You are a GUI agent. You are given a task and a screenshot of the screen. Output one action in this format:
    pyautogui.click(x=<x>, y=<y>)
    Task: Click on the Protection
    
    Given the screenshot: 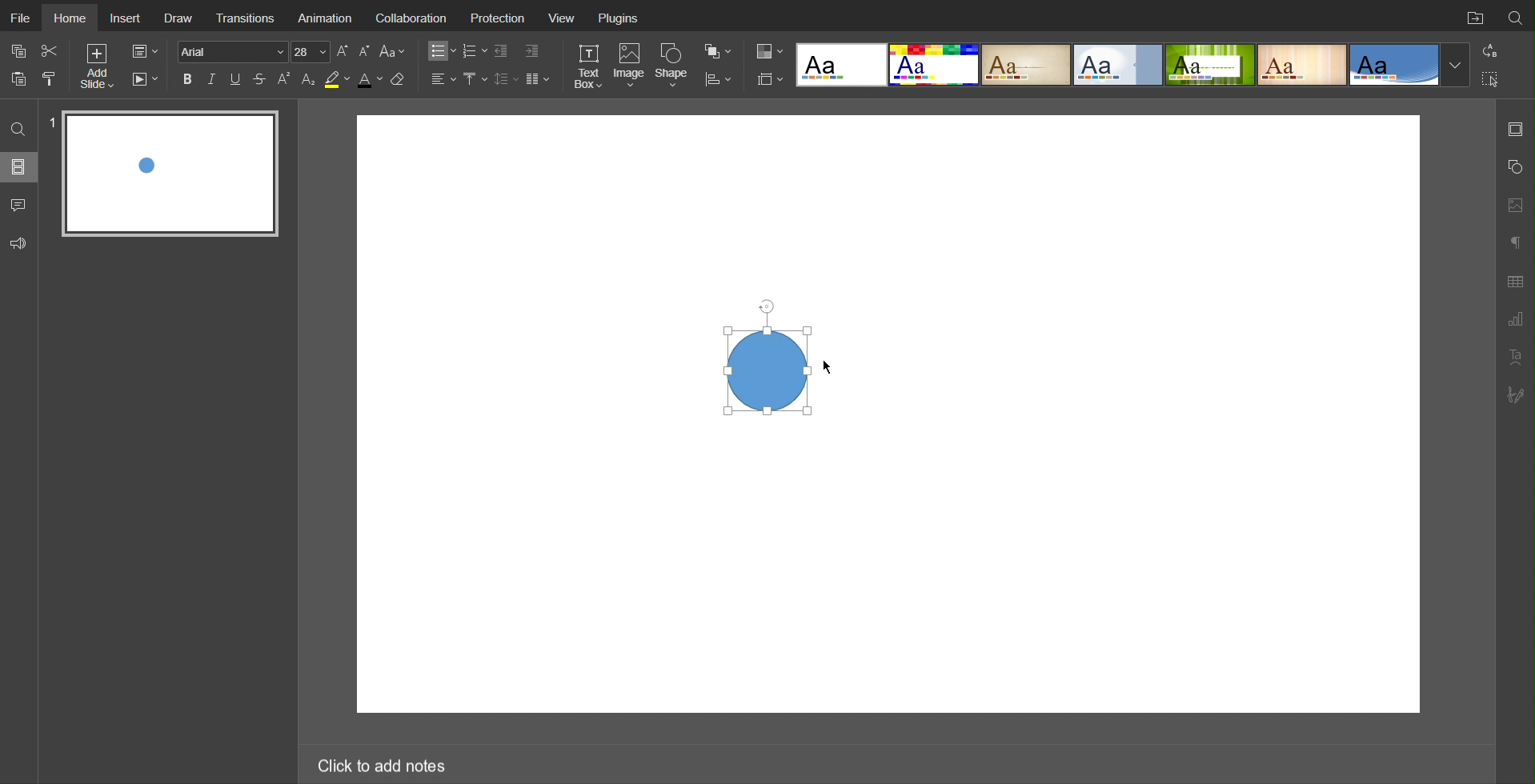 What is the action you would take?
    pyautogui.click(x=500, y=17)
    